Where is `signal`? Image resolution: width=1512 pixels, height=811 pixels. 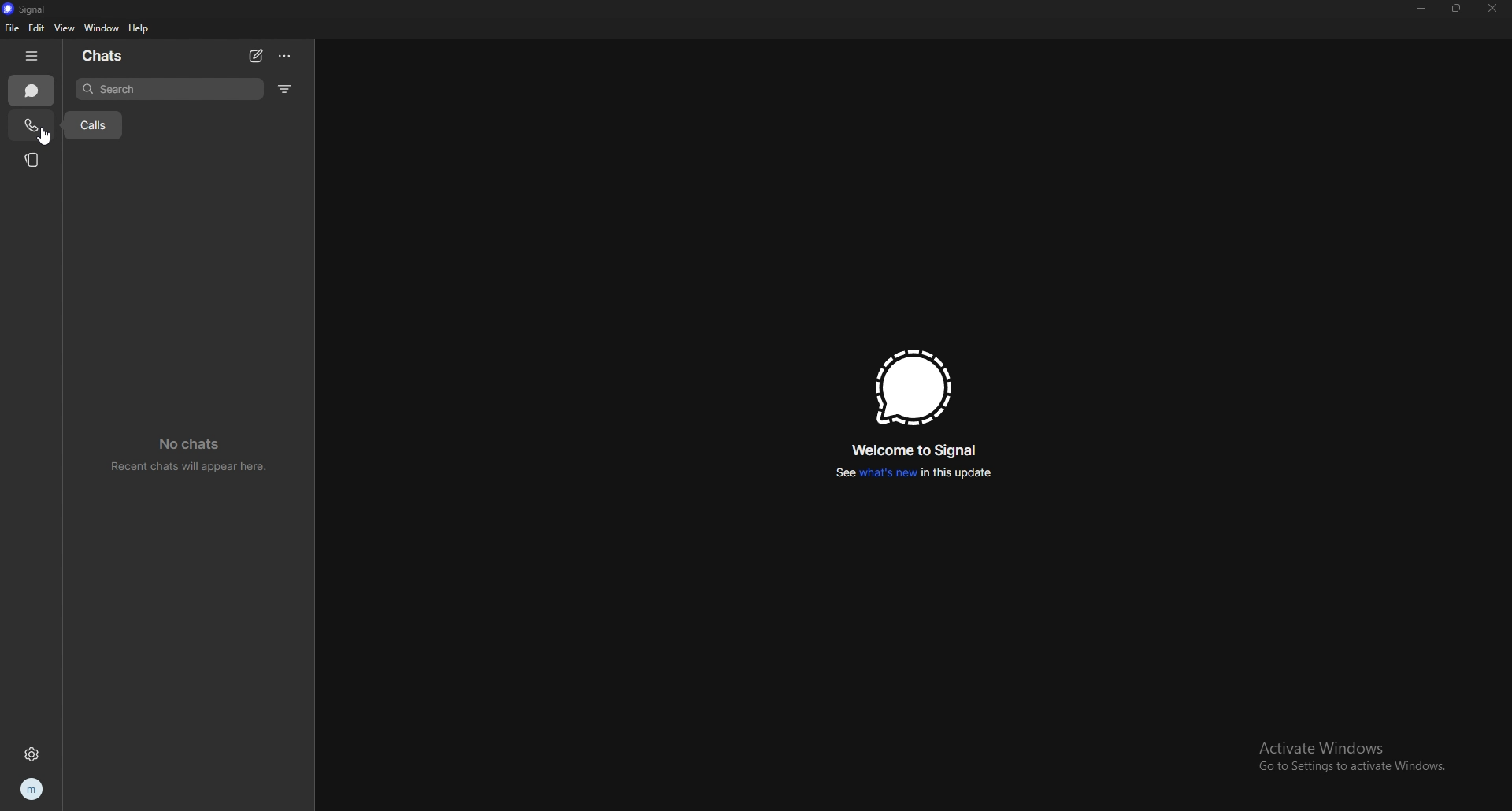 signal is located at coordinates (39, 9).